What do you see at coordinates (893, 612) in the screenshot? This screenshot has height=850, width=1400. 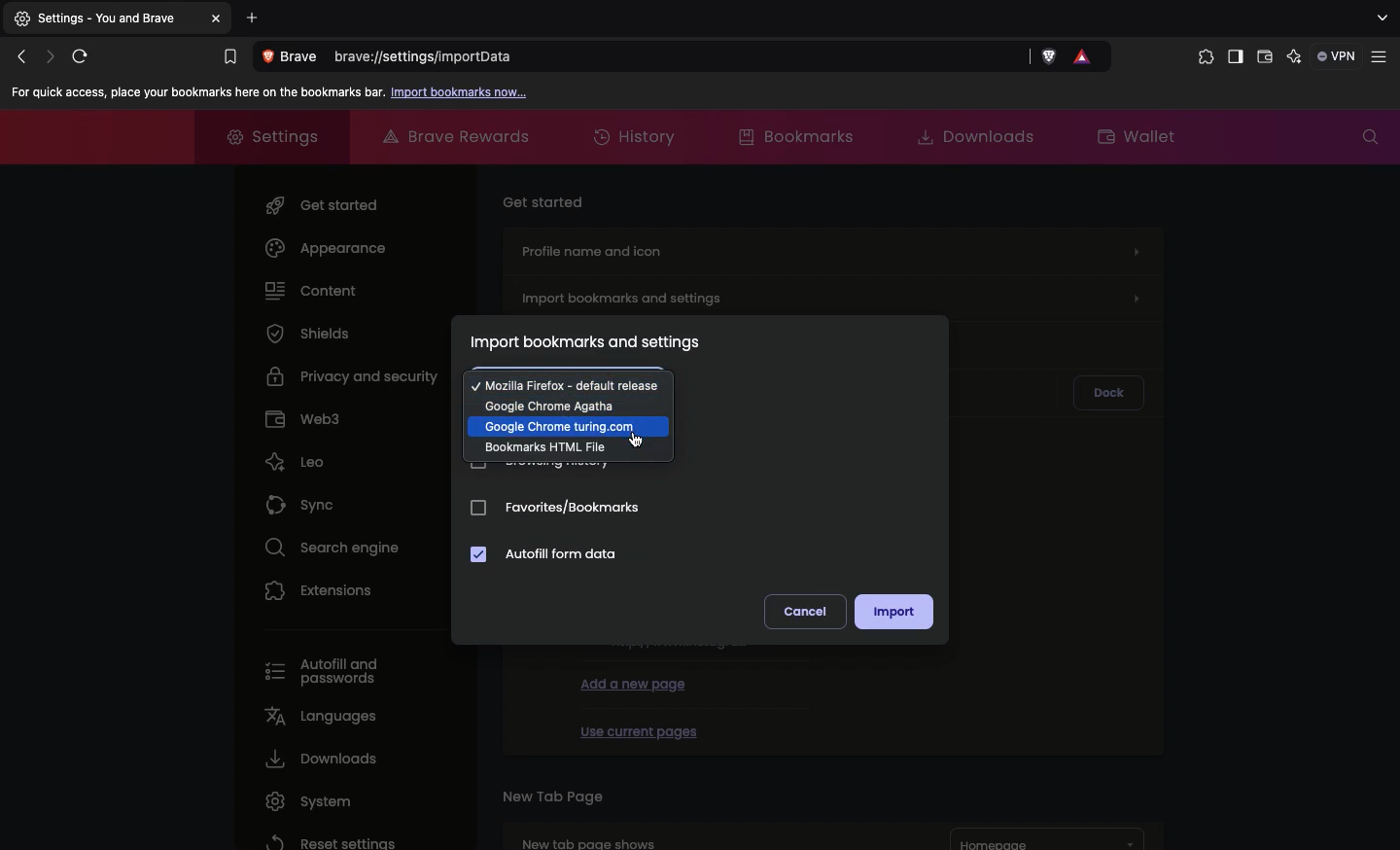 I see `Import` at bounding box center [893, 612].